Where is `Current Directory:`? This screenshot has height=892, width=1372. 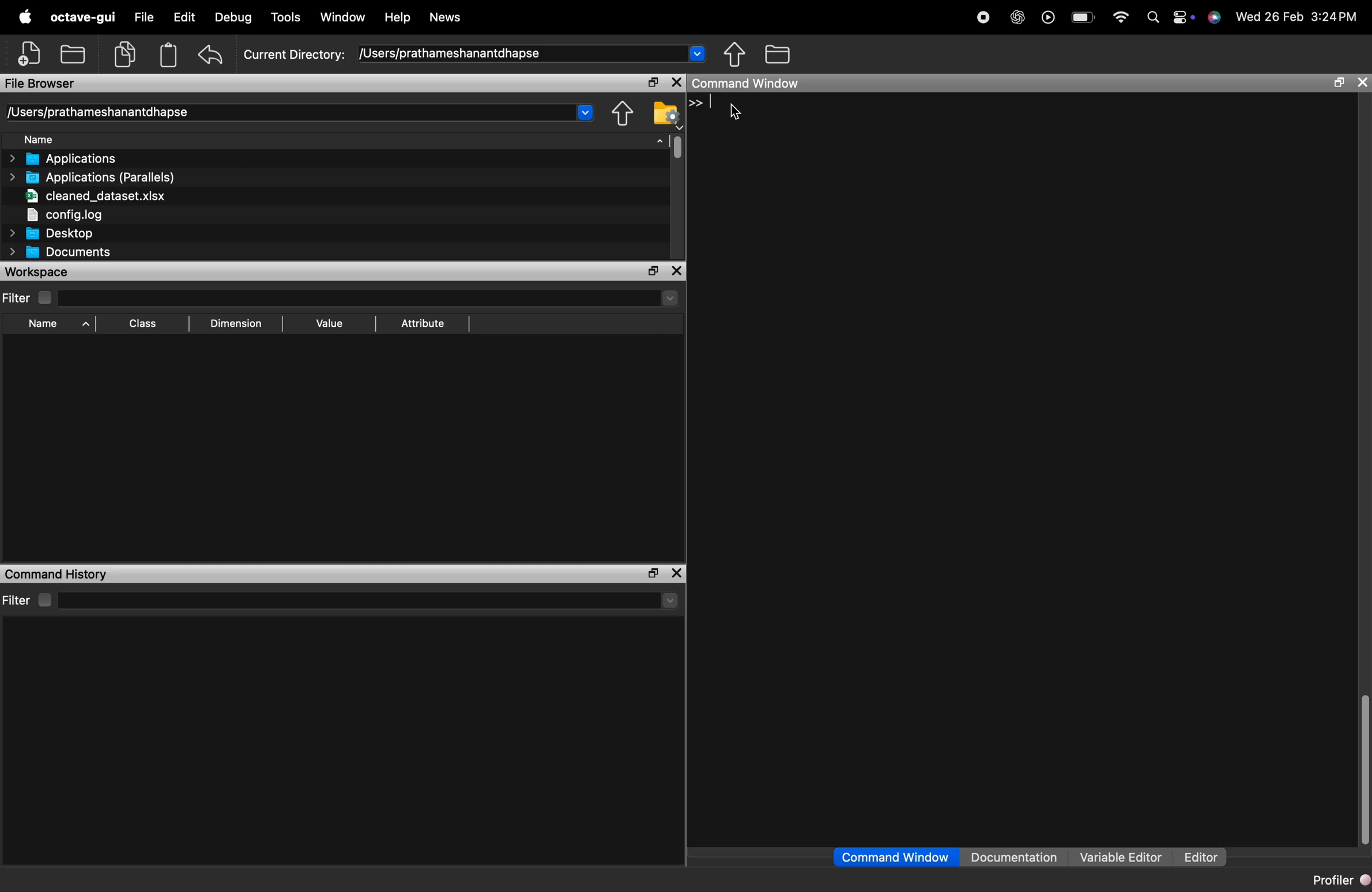
Current Directory: is located at coordinates (295, 52).